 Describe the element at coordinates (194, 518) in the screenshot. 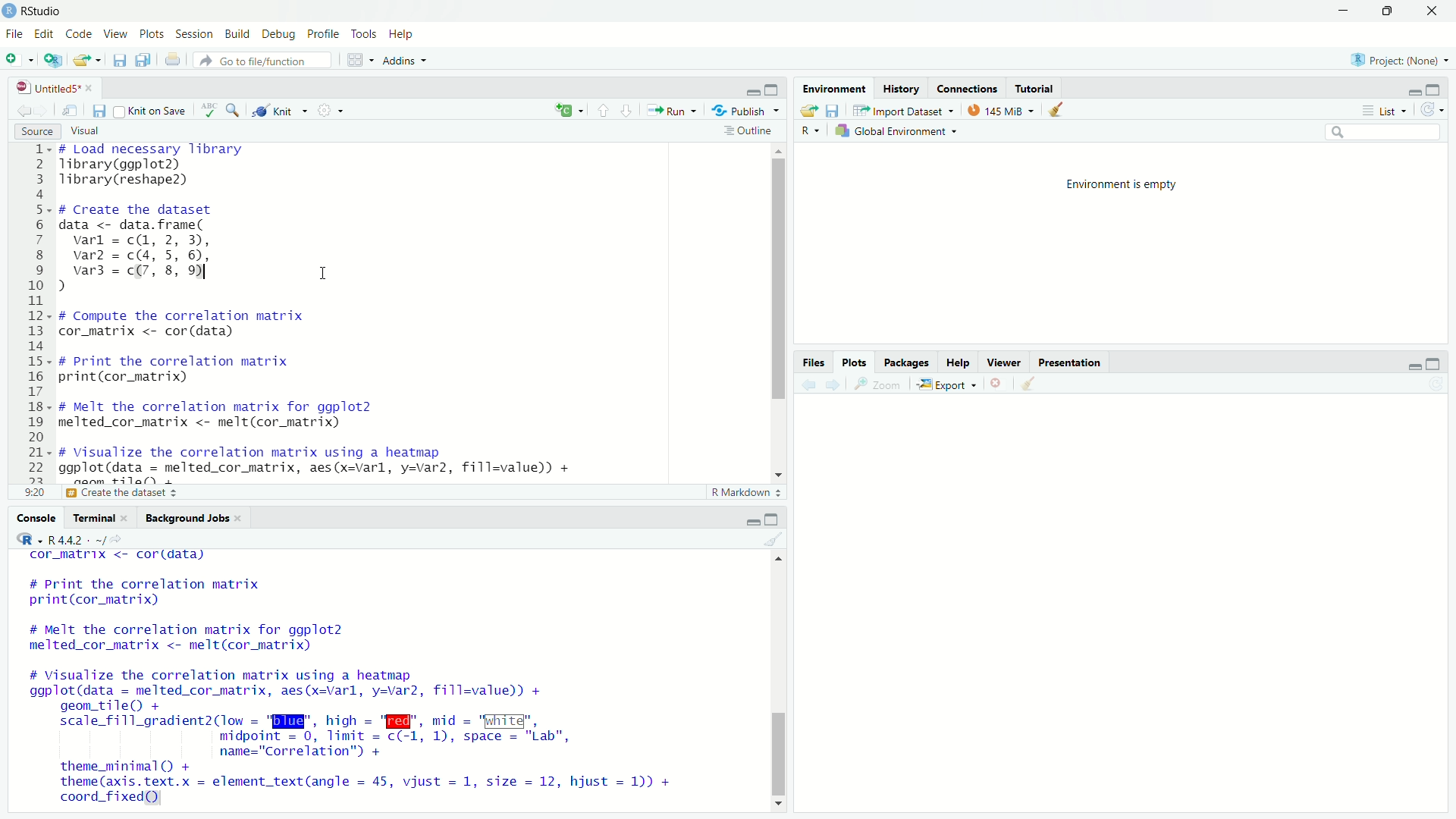

I see `background jobs` at that location.